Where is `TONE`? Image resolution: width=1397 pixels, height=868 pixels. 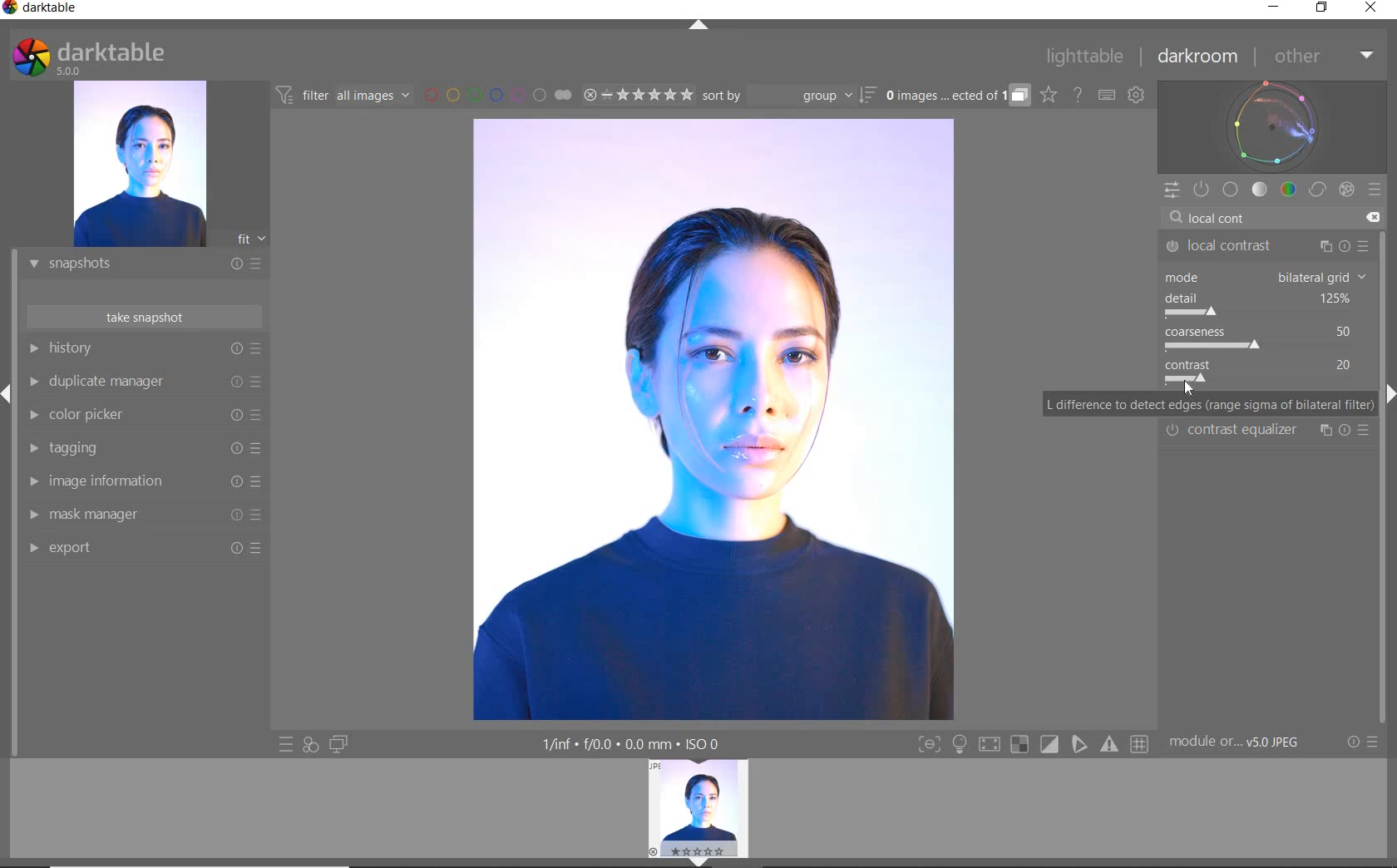
TONE is located at coordinates (1261, 190).